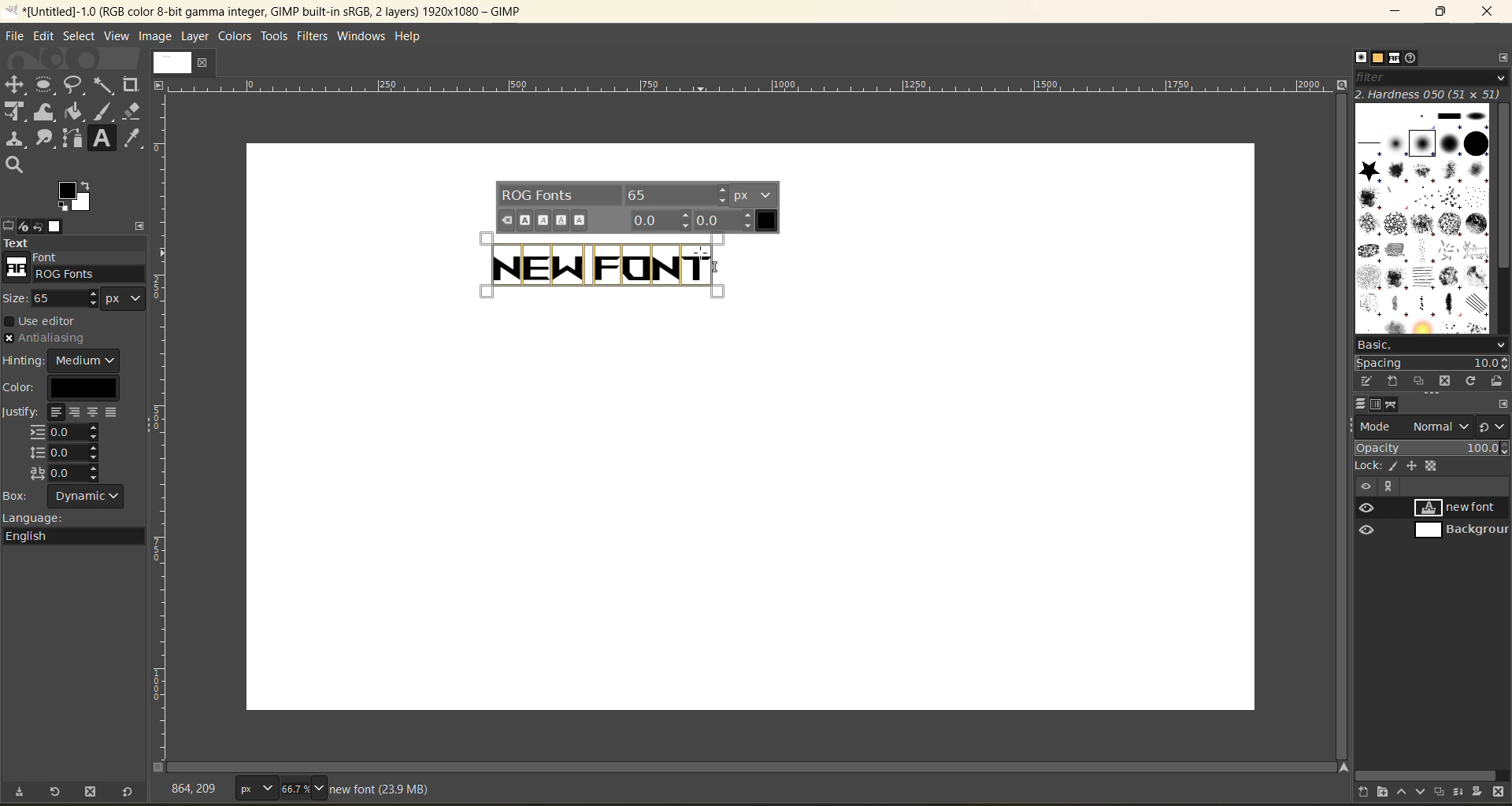  I want to click on delete tool preset, so click(92, 790).